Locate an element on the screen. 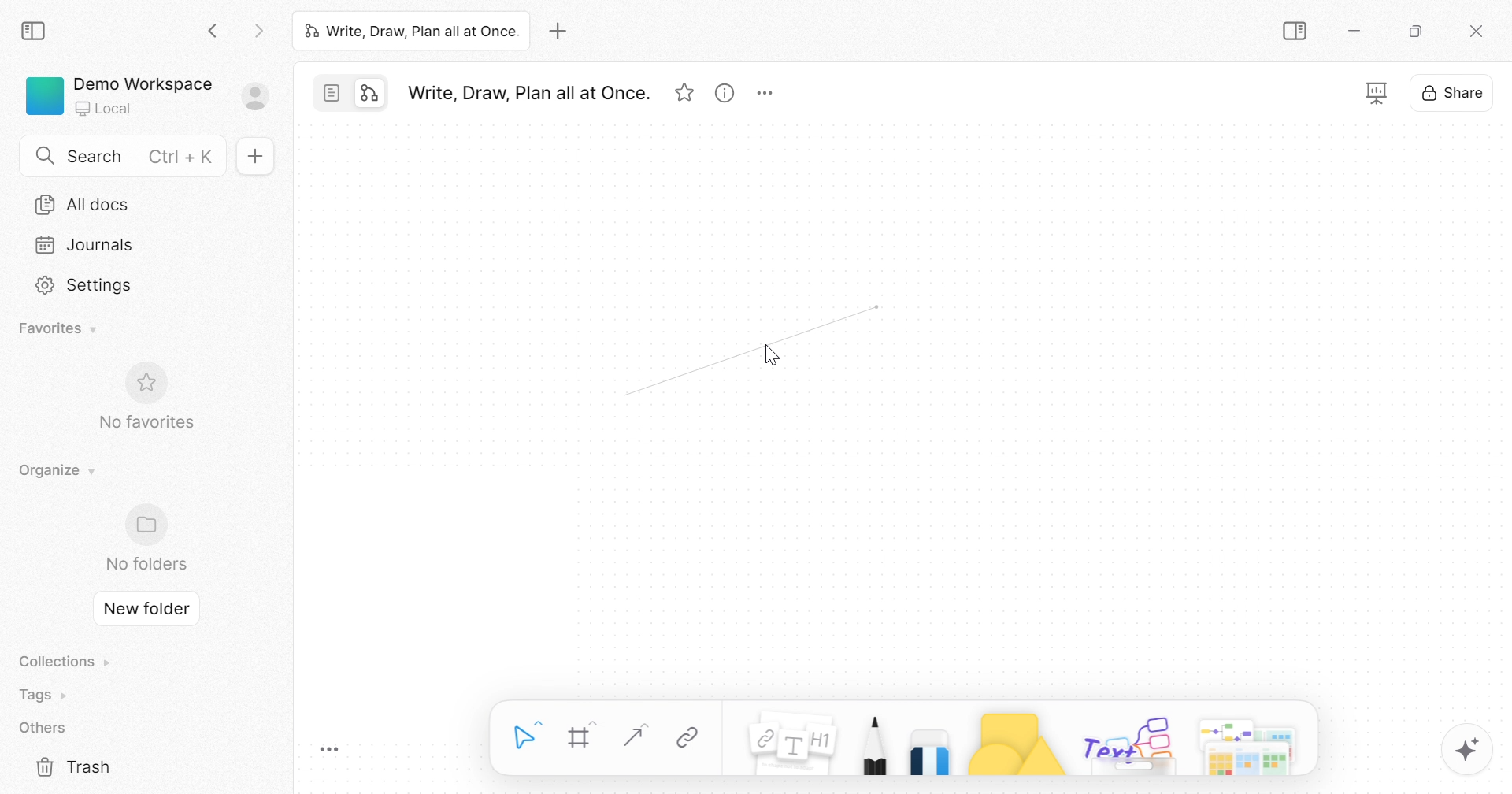 Image resolution: width=1512 pixels, height=794 pixels. Favorites is located at coordinates (61, 327).